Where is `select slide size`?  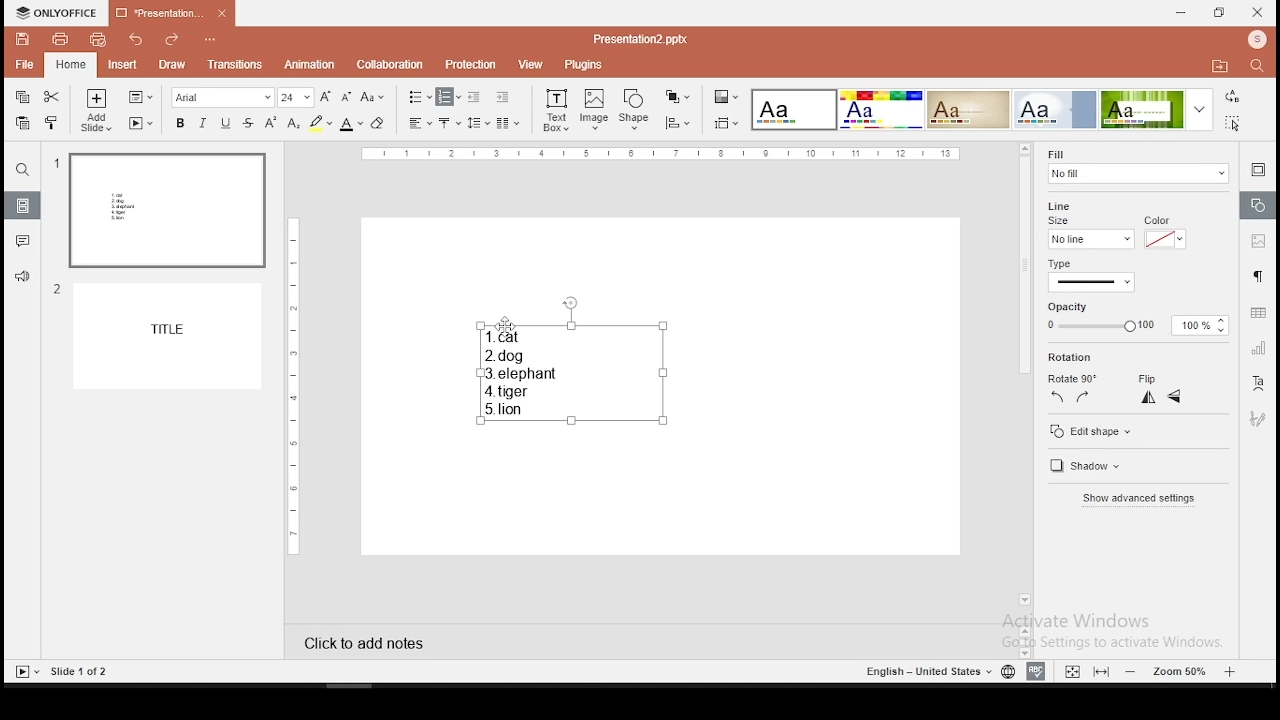 select slide size is located at coordinates (727, 122).